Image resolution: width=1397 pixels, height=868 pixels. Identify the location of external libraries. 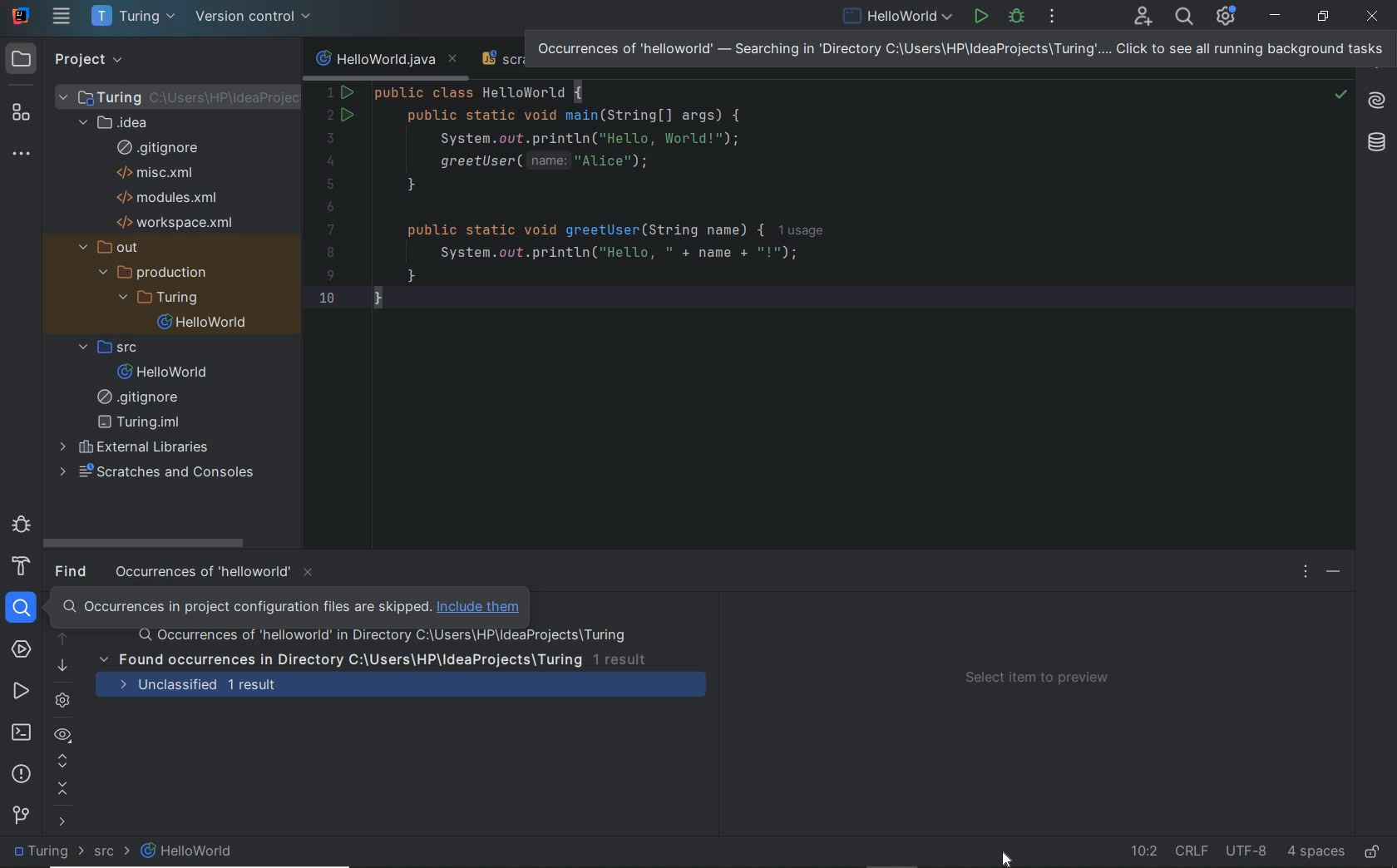
(138, 449).